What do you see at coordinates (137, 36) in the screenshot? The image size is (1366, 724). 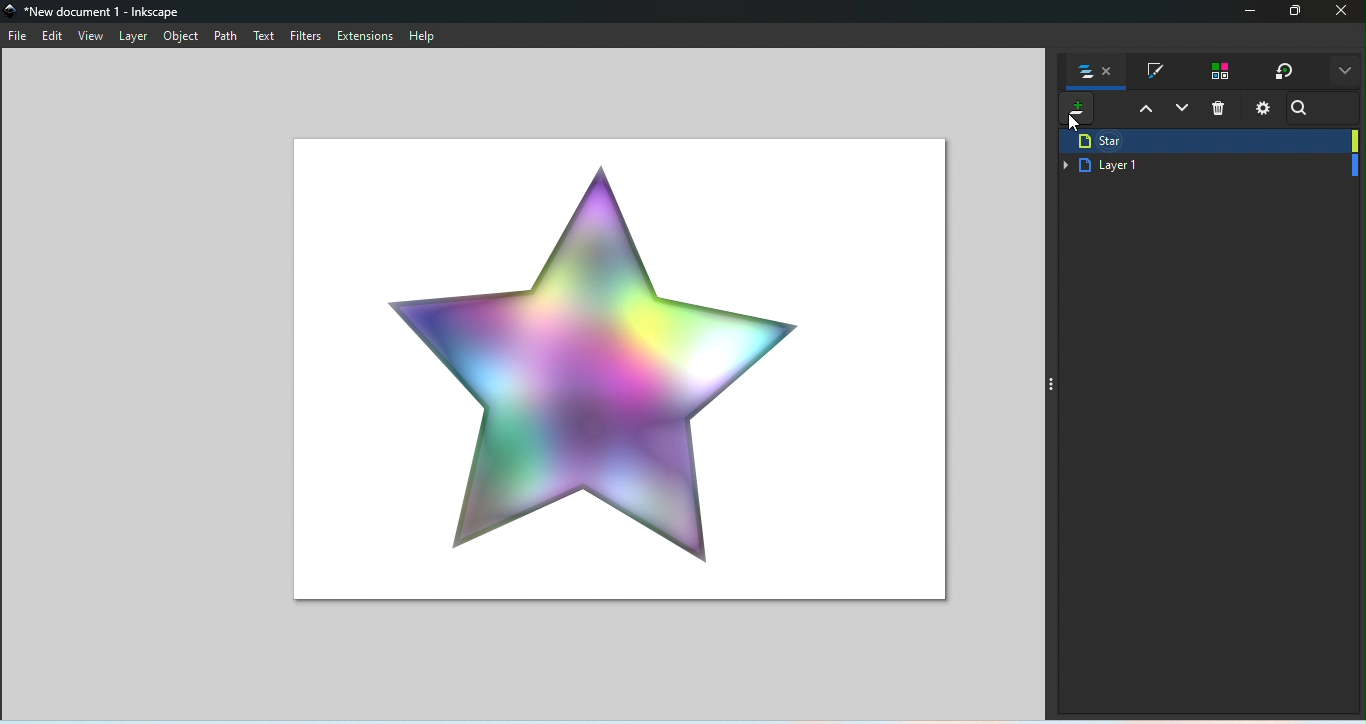 I see `Layer` at bounding box center [137, 36].